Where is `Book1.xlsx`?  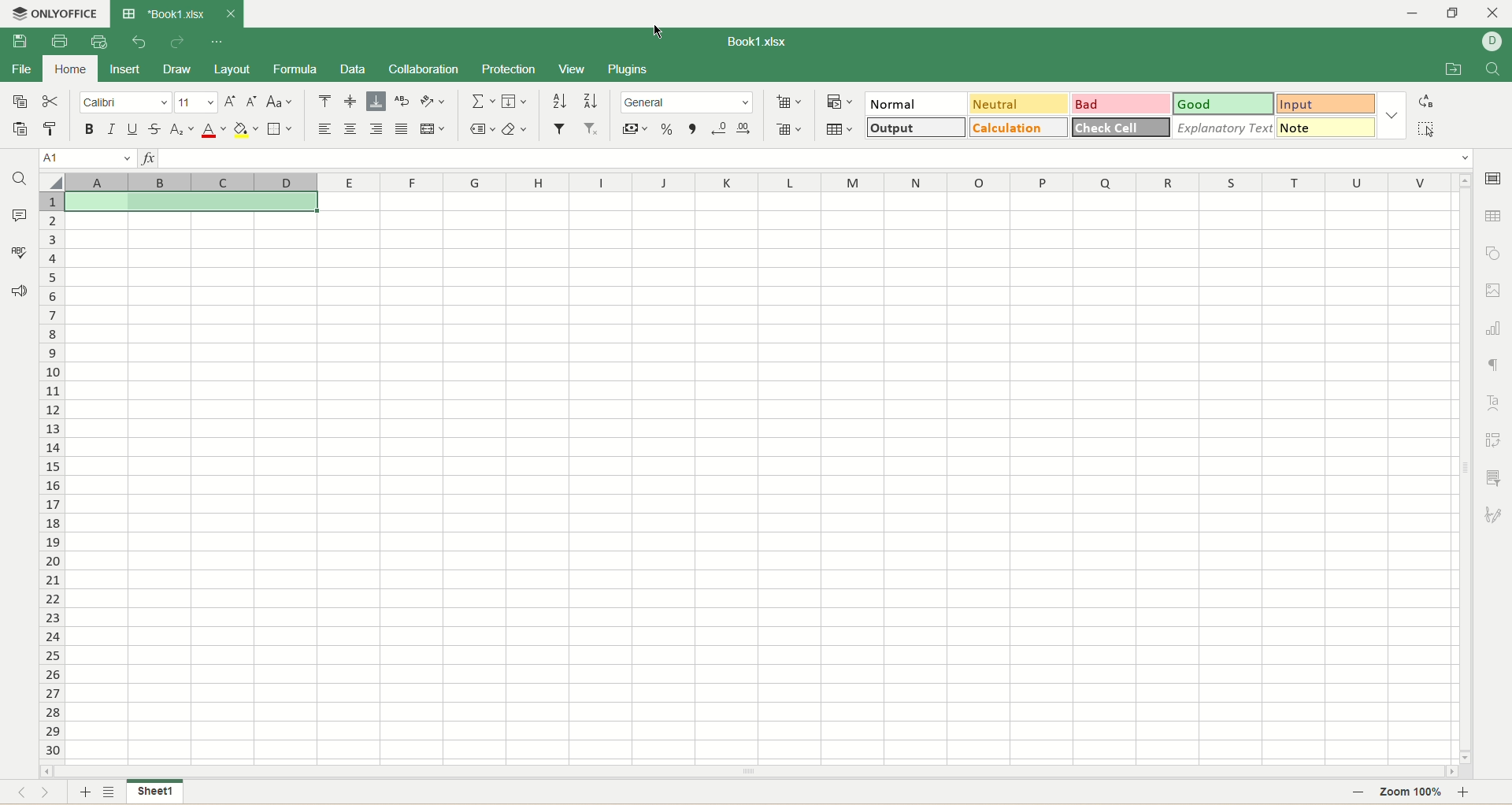
Book1.xlsx is located at coordinates (751, 40).